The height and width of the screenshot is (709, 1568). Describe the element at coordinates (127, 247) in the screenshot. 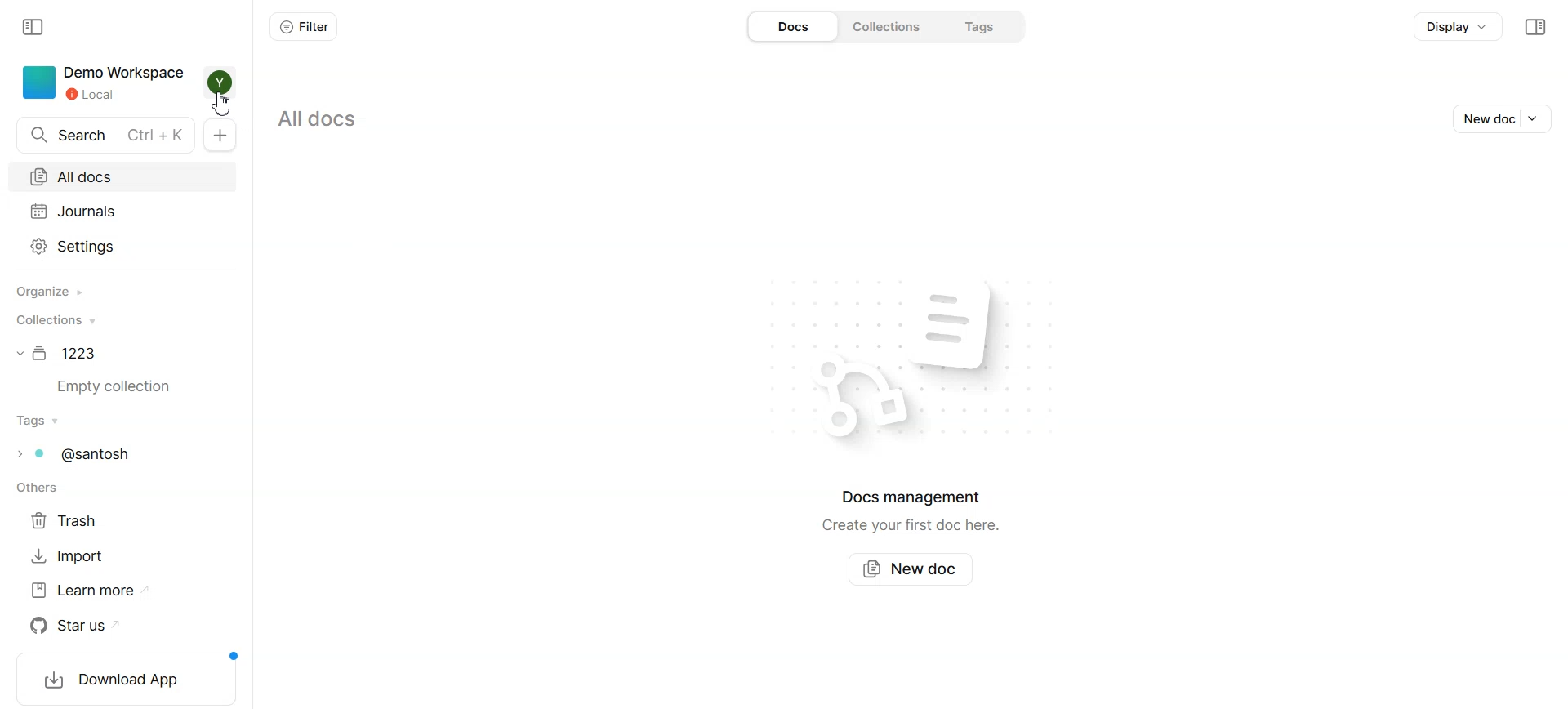

I see `Settings` at that location.